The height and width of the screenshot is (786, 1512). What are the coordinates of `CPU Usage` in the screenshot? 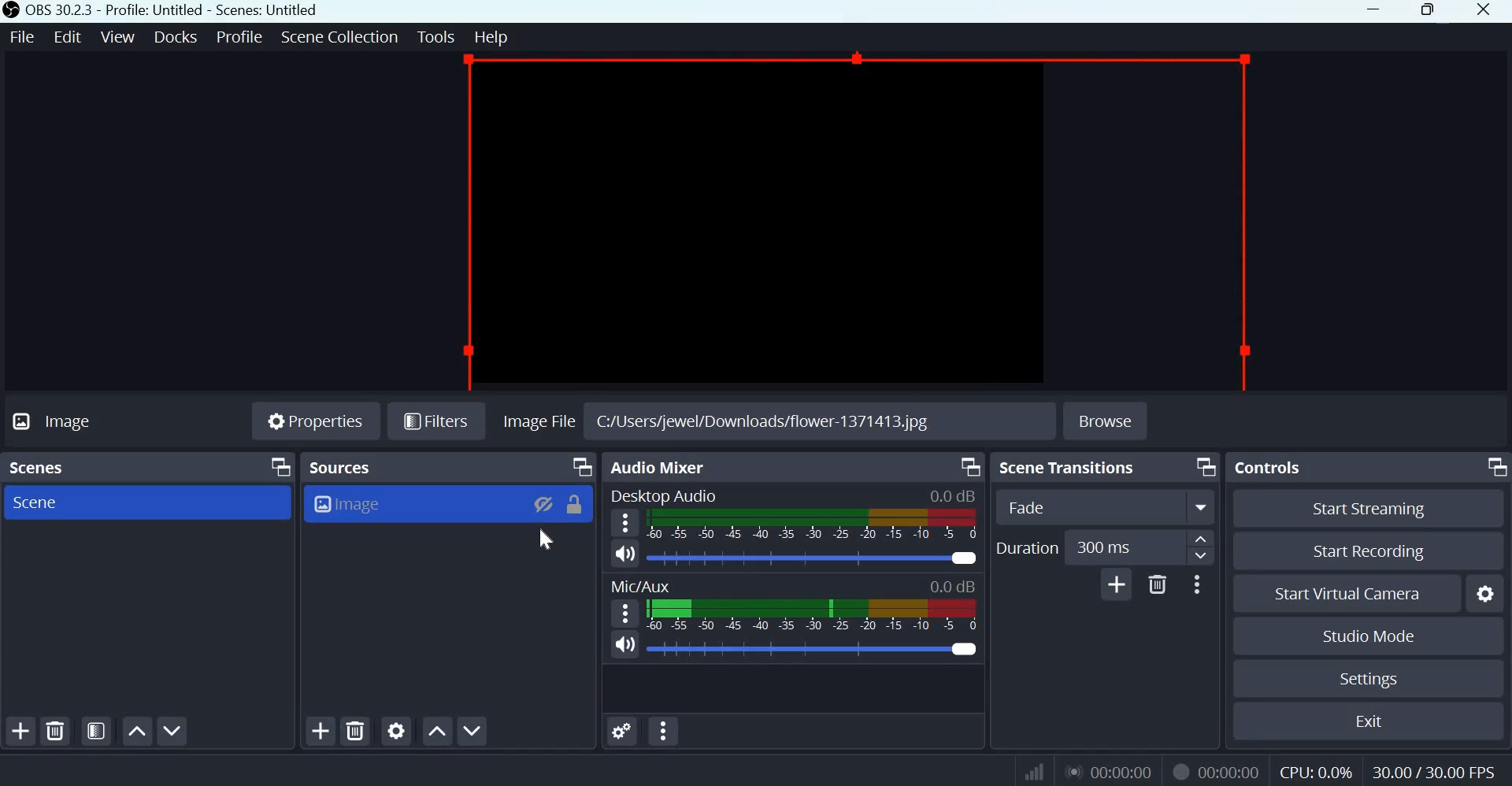 It's located at (1316, 771).